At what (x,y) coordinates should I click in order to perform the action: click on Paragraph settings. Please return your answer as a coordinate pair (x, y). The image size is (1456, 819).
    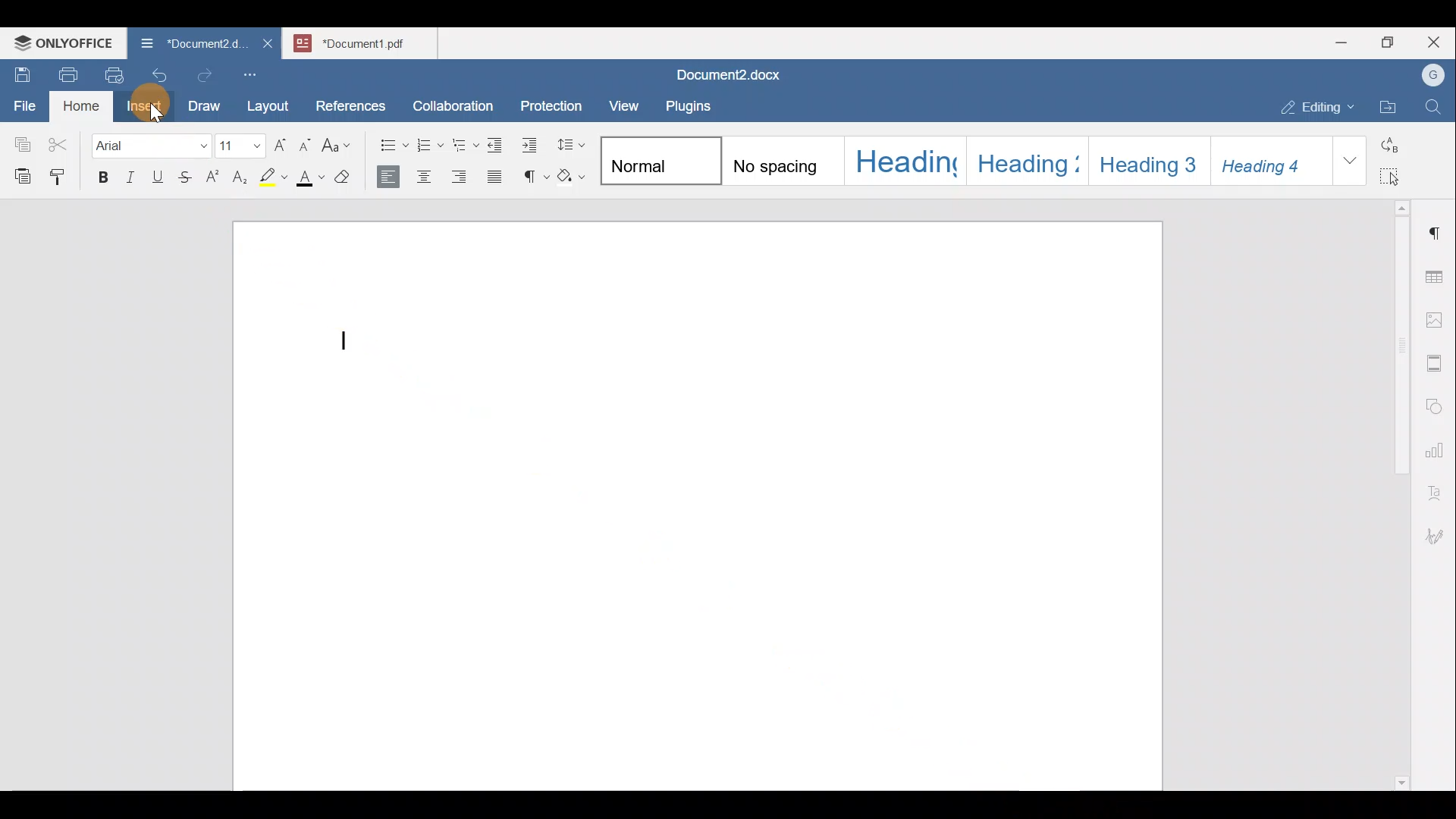
    Looking at the image, I should click on (1436, 227).